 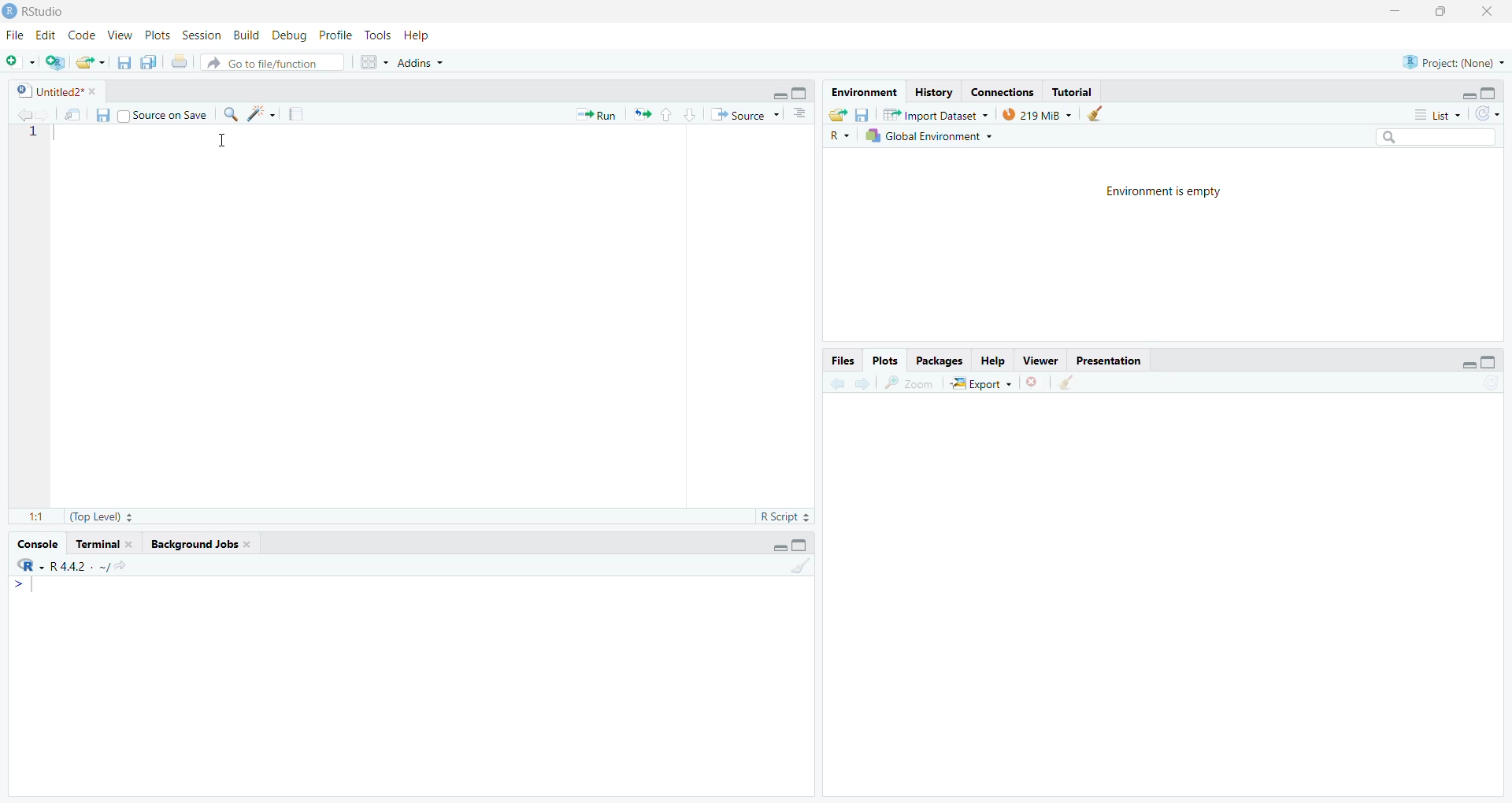 I want to click on File, so click(x=17, y=34).